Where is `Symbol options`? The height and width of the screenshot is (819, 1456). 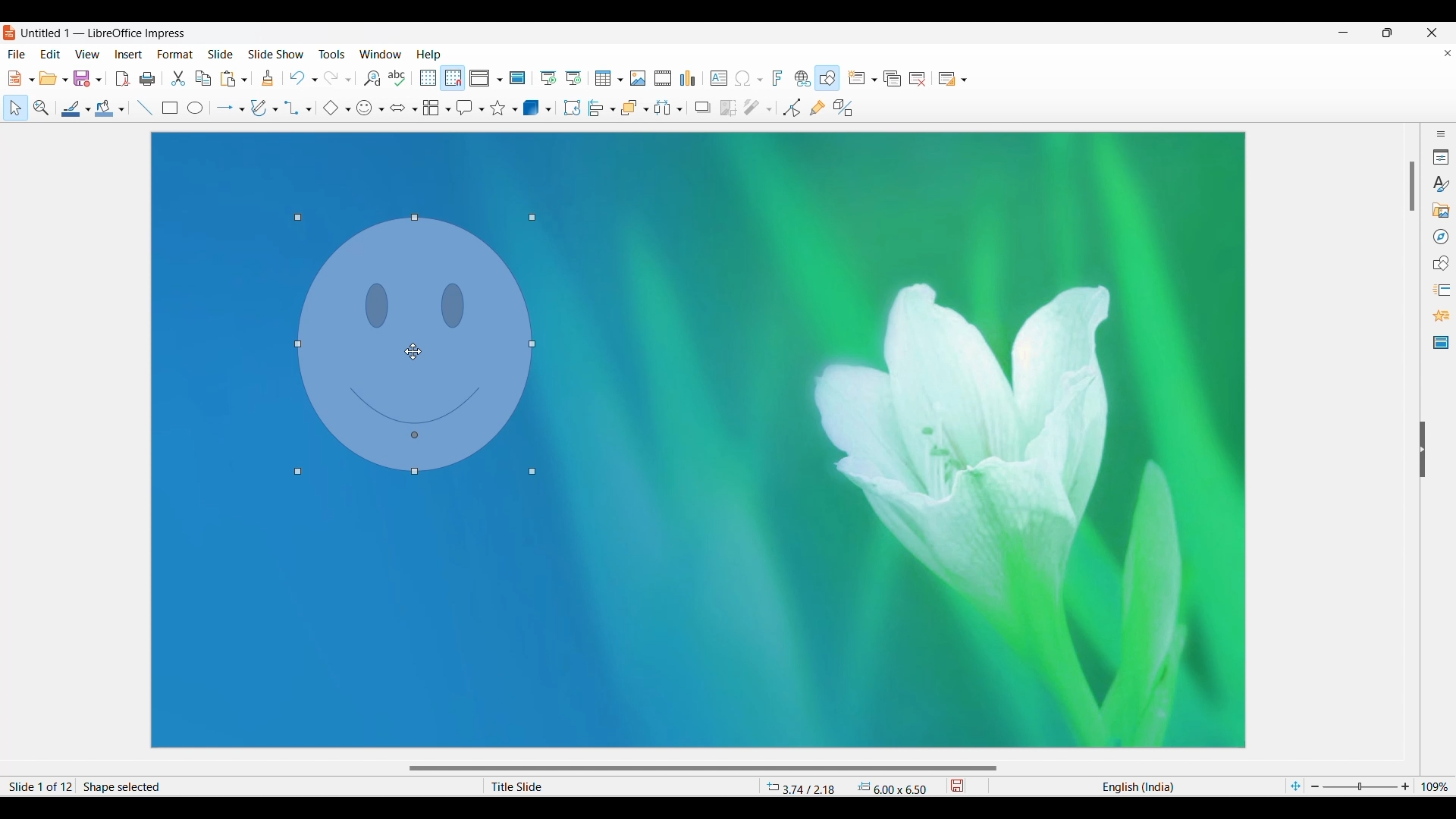
Symbol options is located at coordinates (381, 110).